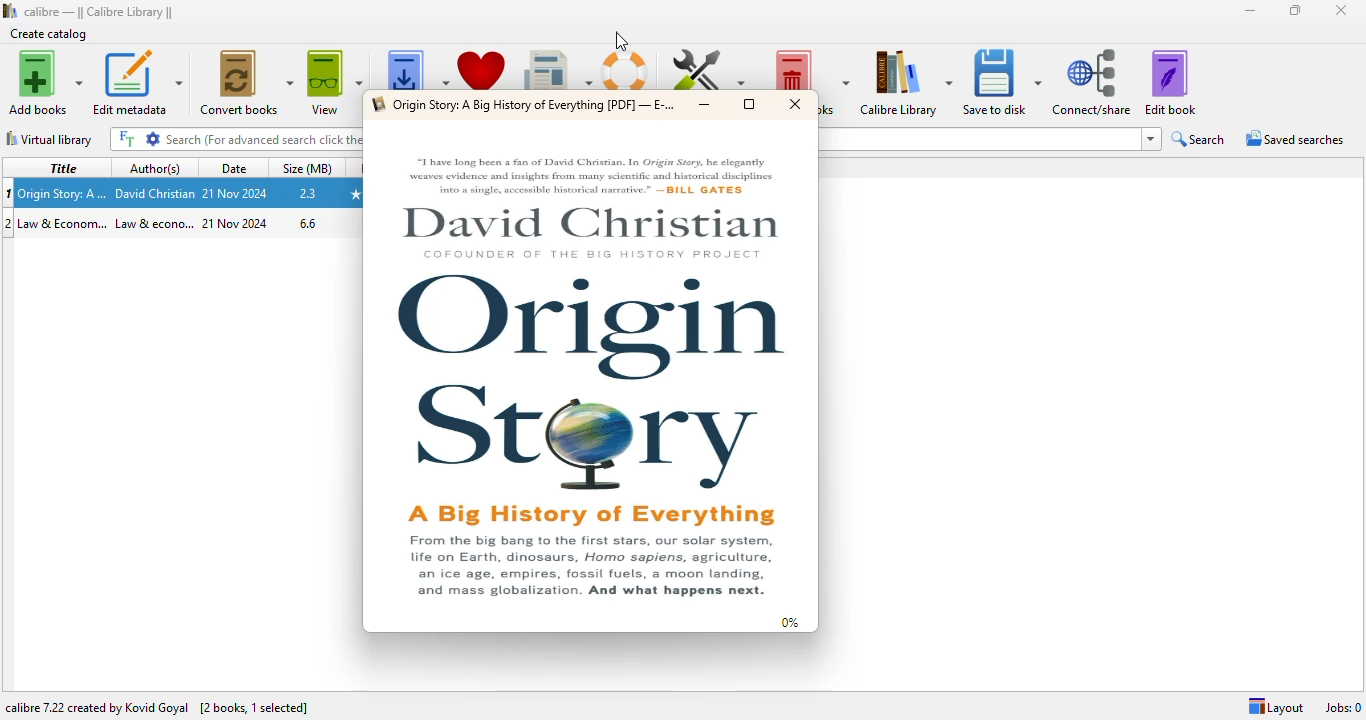 This screenshot has height=720, width=1366. I want to click on create catalog, so click(49, 34).